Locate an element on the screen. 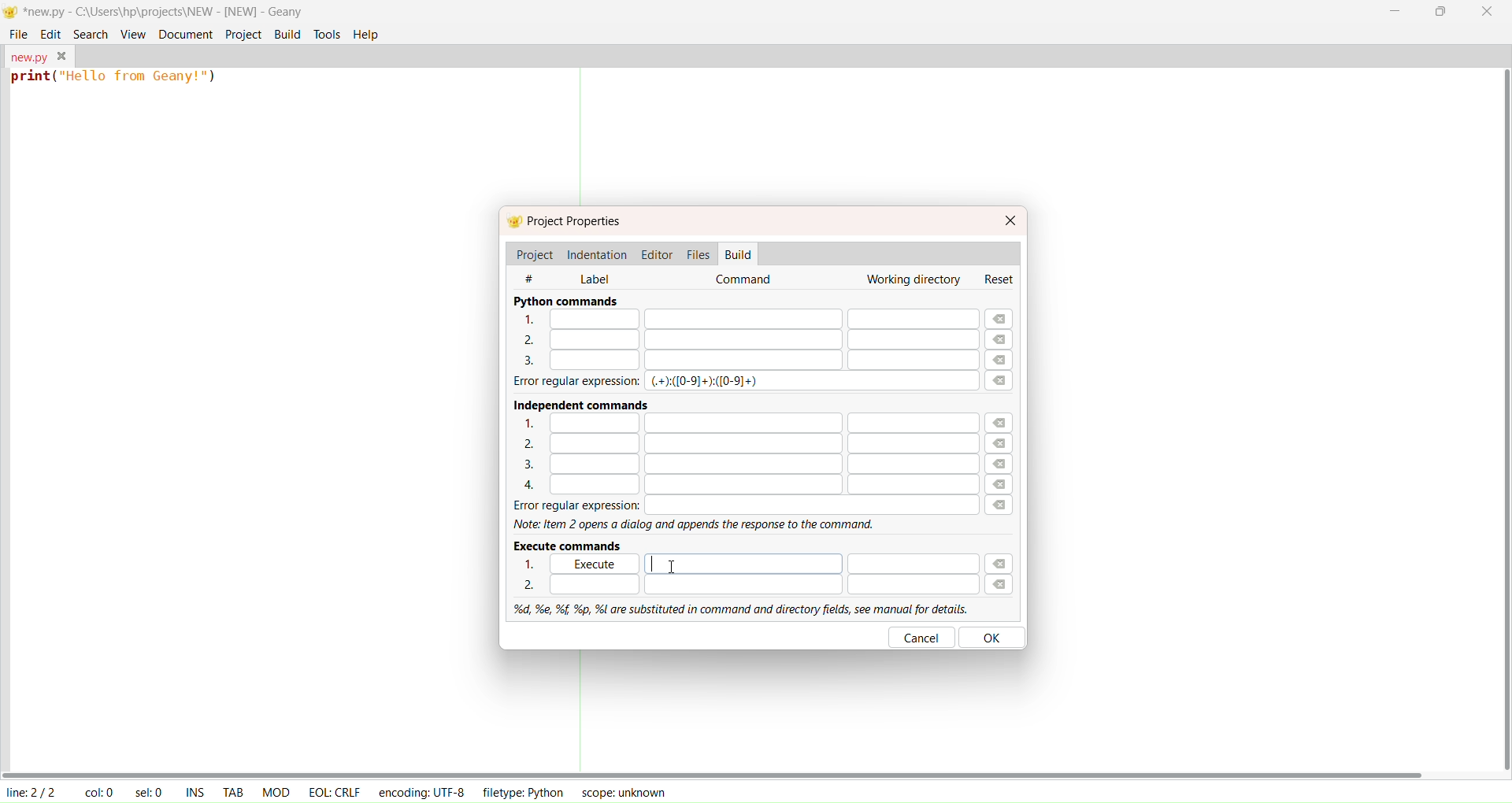 Image resolution: width=1512 pixels, height=803 pixels. 1. is located at coordinates (744, 320).